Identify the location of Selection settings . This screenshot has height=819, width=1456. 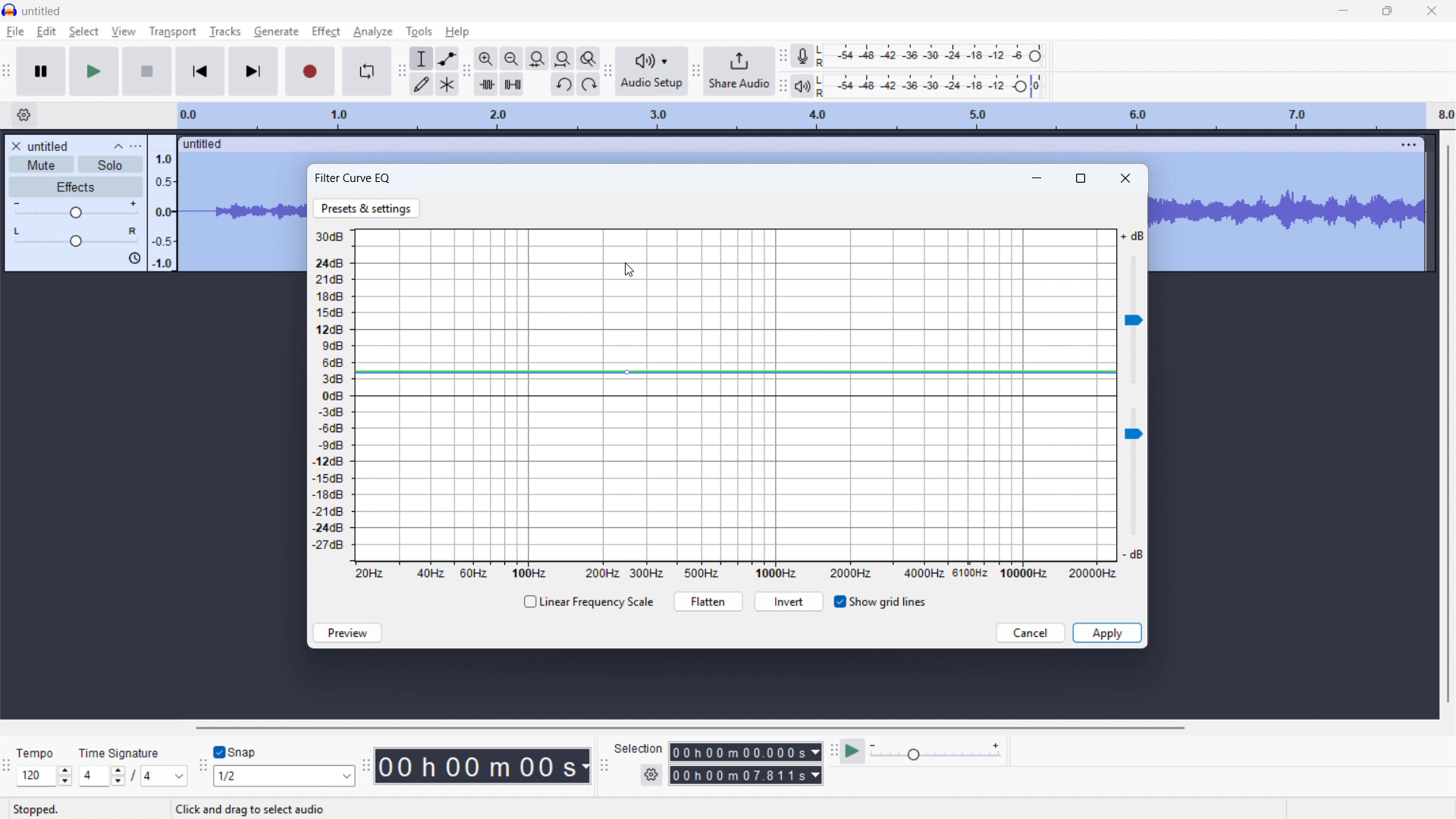
(651, 776).